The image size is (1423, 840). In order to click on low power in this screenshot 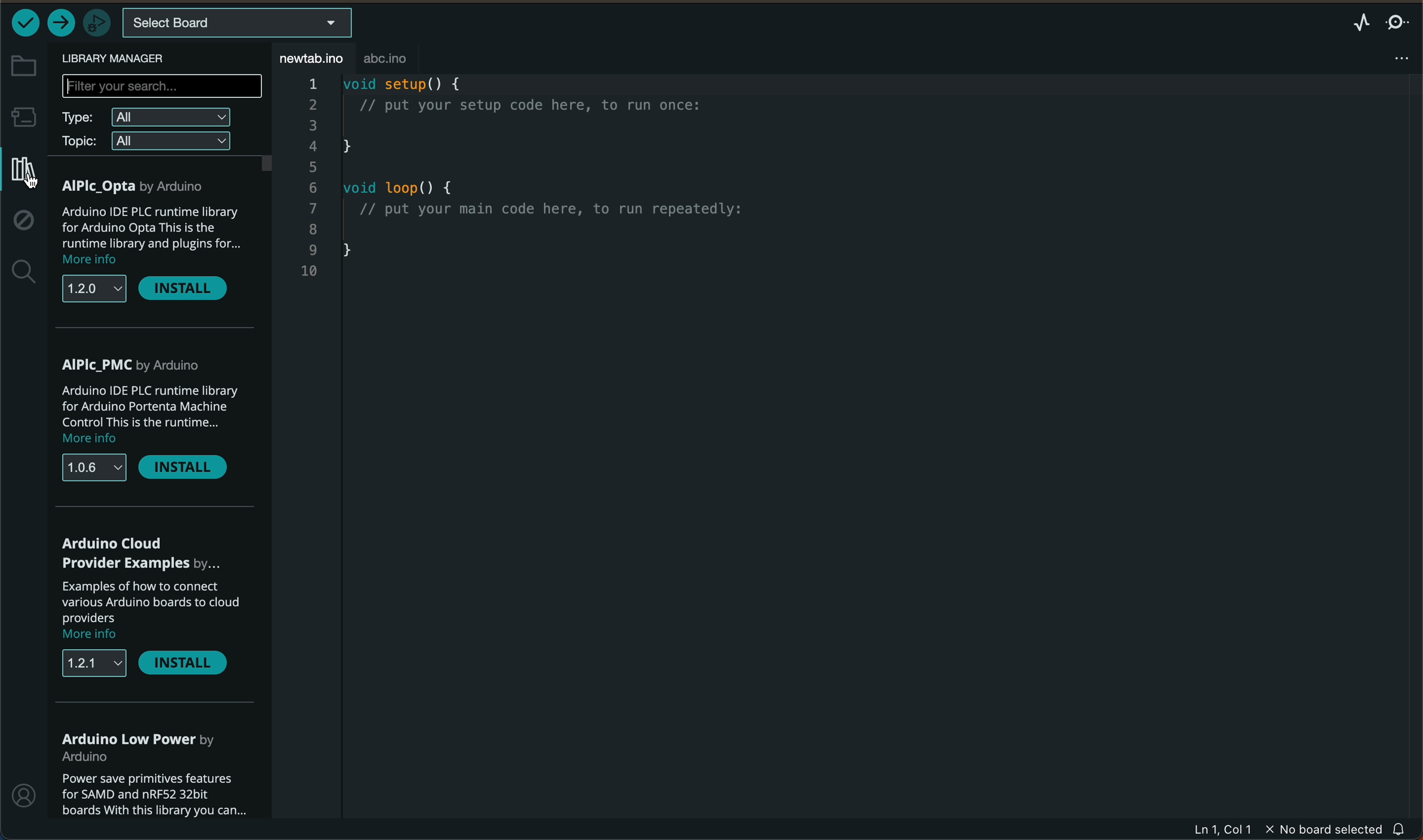, I will do `click(144, 743)`.